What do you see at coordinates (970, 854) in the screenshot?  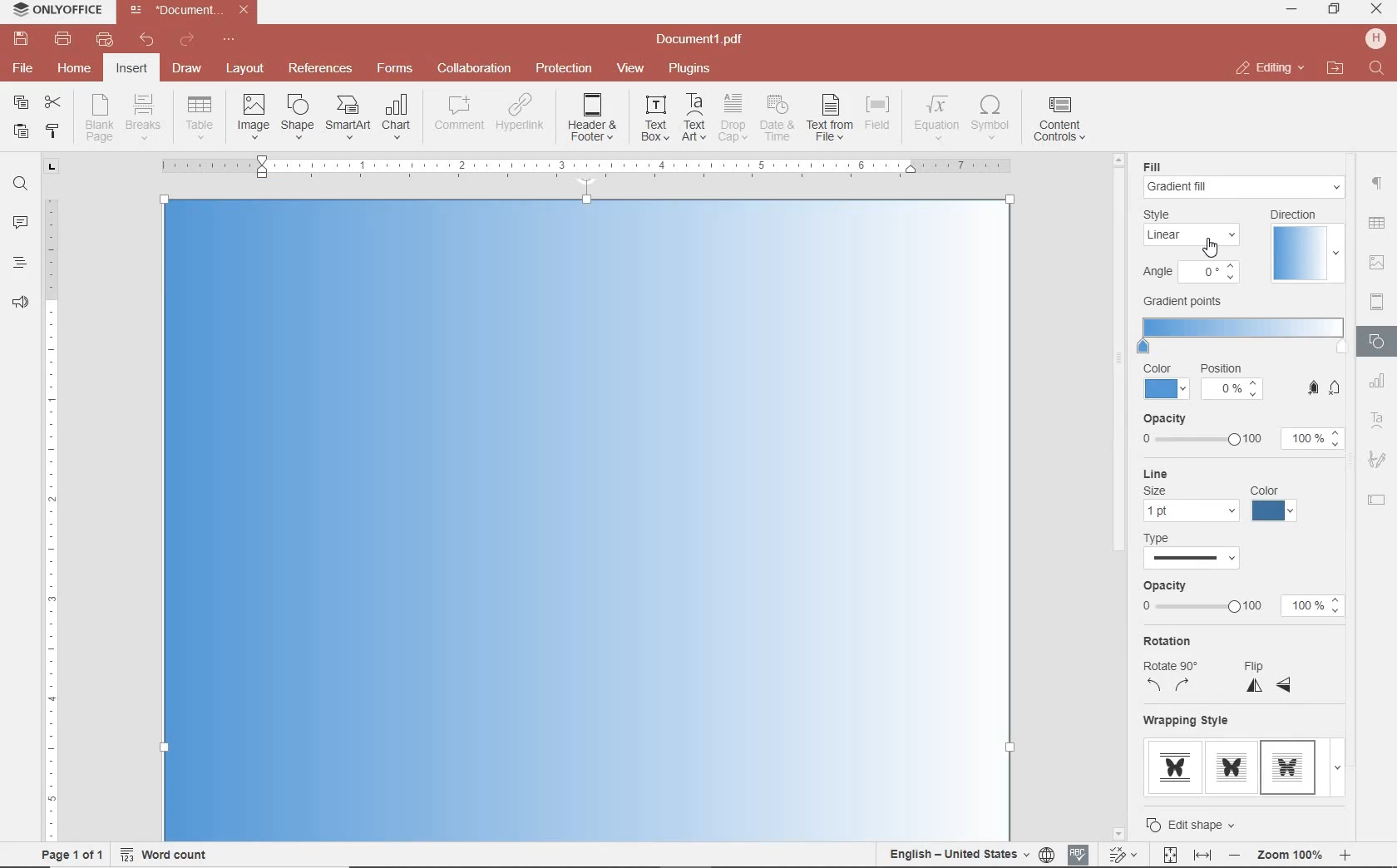 I see `set document language` at bounding box center [970, 854].